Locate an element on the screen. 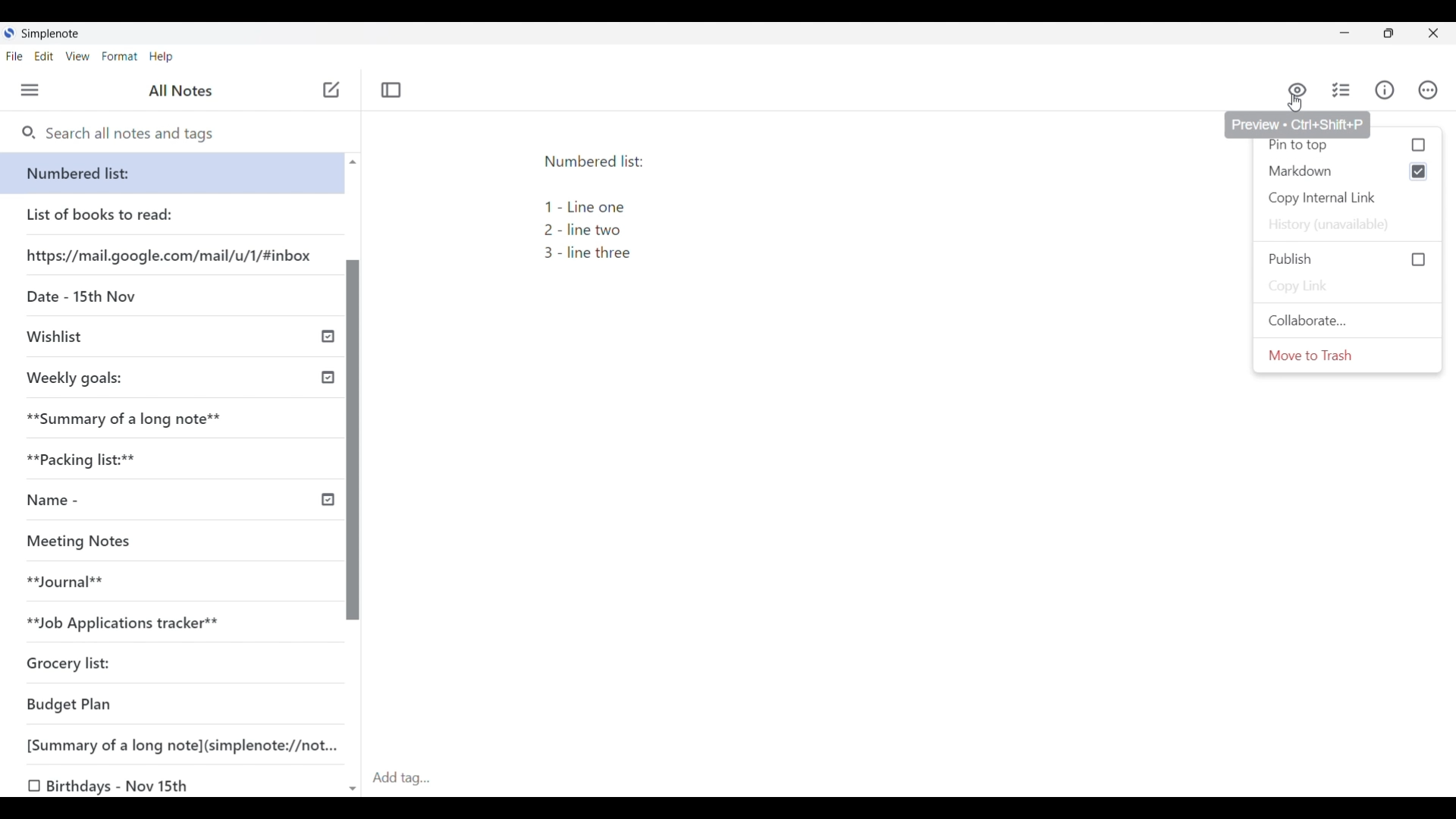 The image size is (1456, 819). Minimize is located at coordinates (1345, 33).